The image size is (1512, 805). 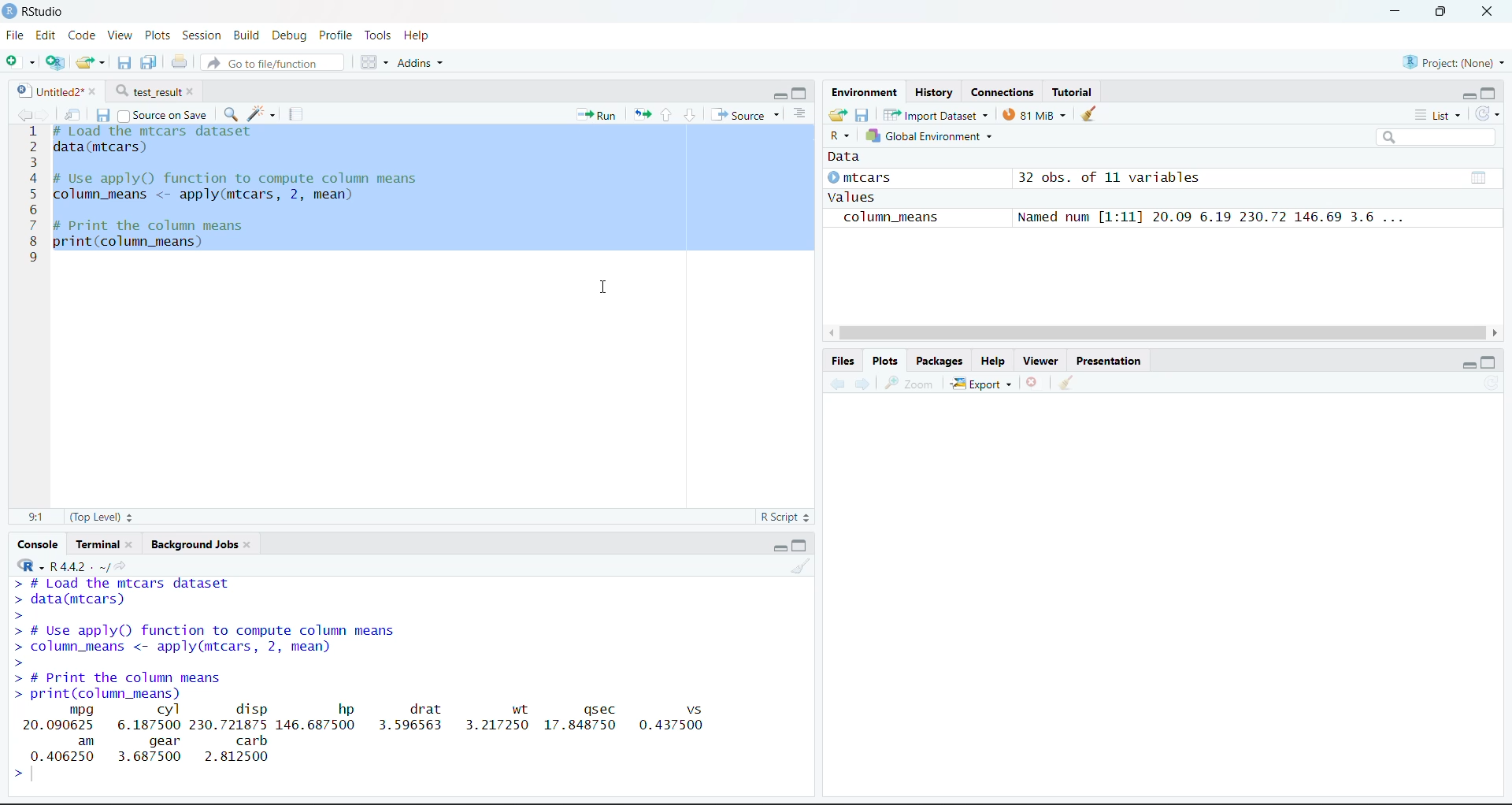 What do you see at coordinates (260, 113) in the screenshot?
I see `Code Tools` at bounding box center [260, 113].